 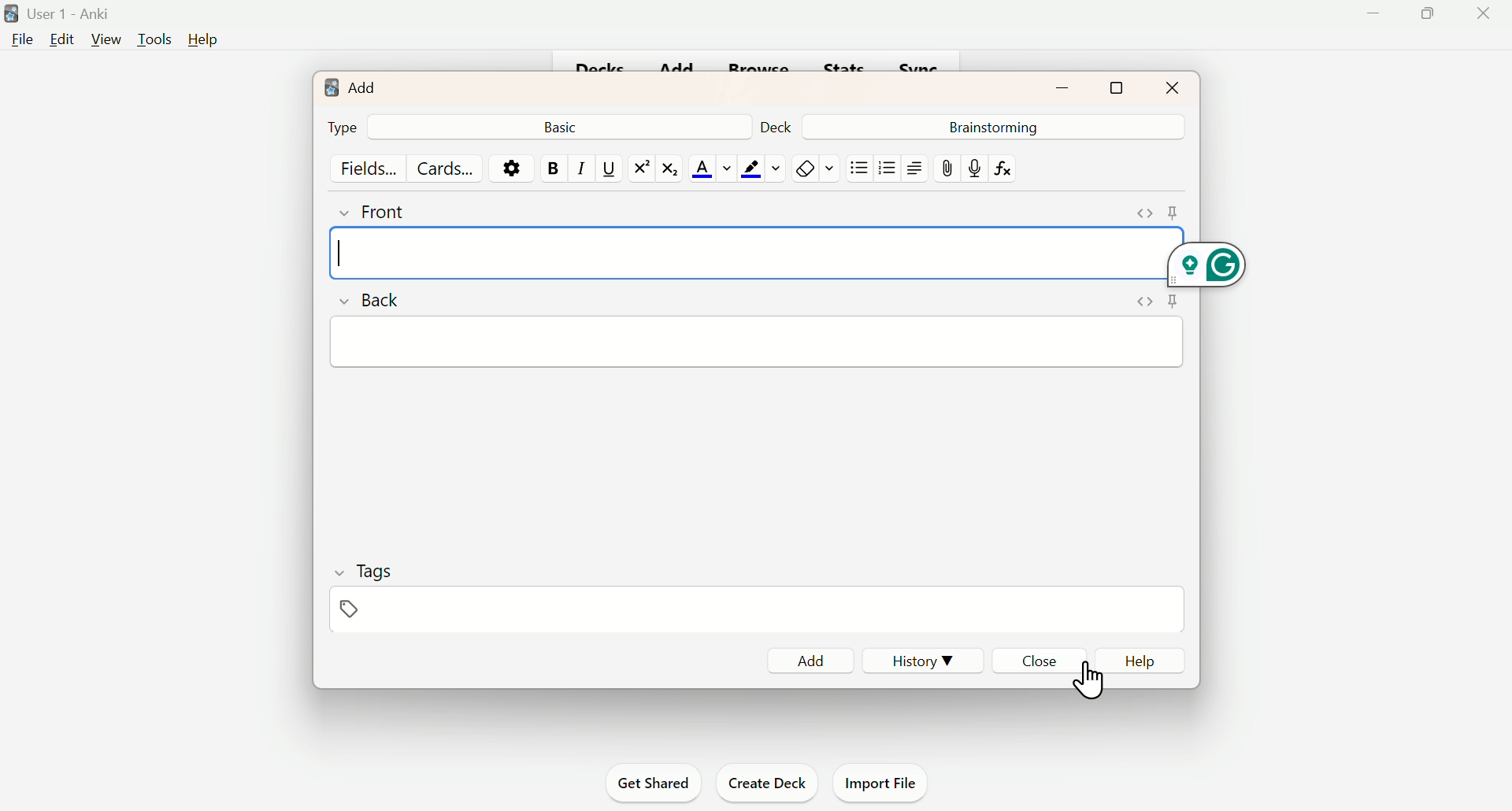 I want to click on Text Alignment, so click(x=913, y=168).